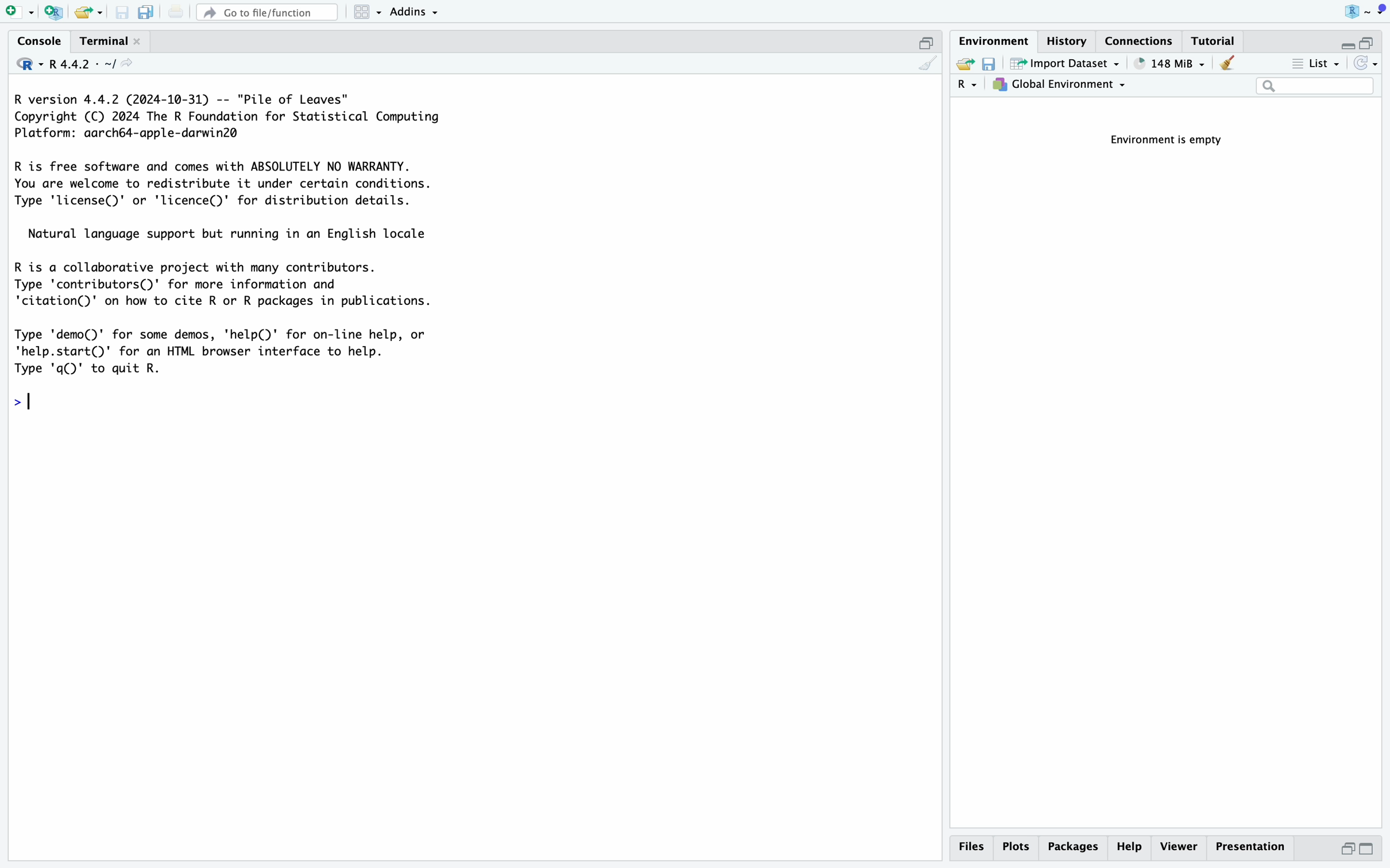 Image resolution: width=1390 pixels, height=868 pixels. What do you see at coordinates (1342, 11) in the screenshot?
I see `R logo` at bounding box center [1342, 11].